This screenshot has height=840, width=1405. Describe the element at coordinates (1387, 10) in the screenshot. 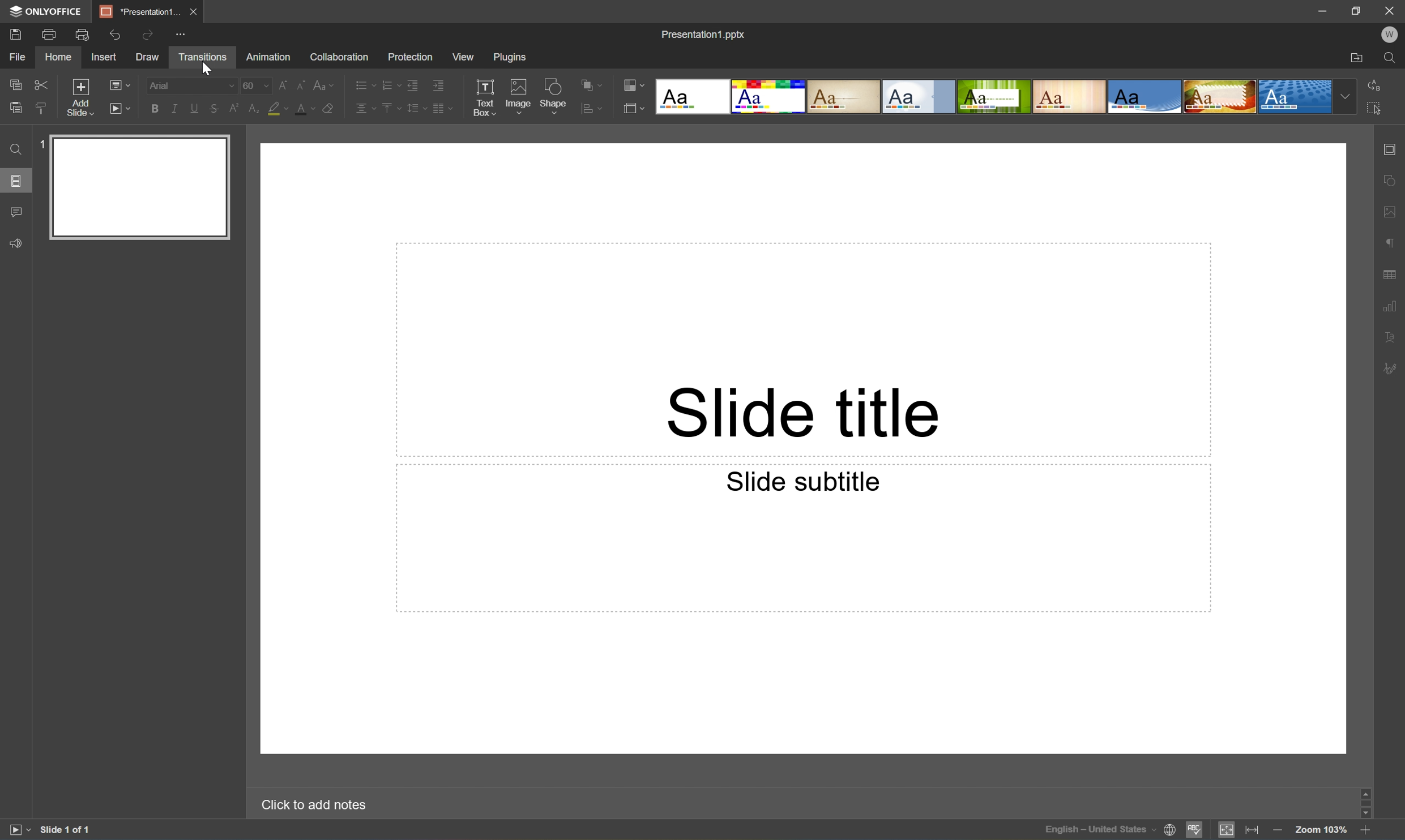

I see `Close` at that location.